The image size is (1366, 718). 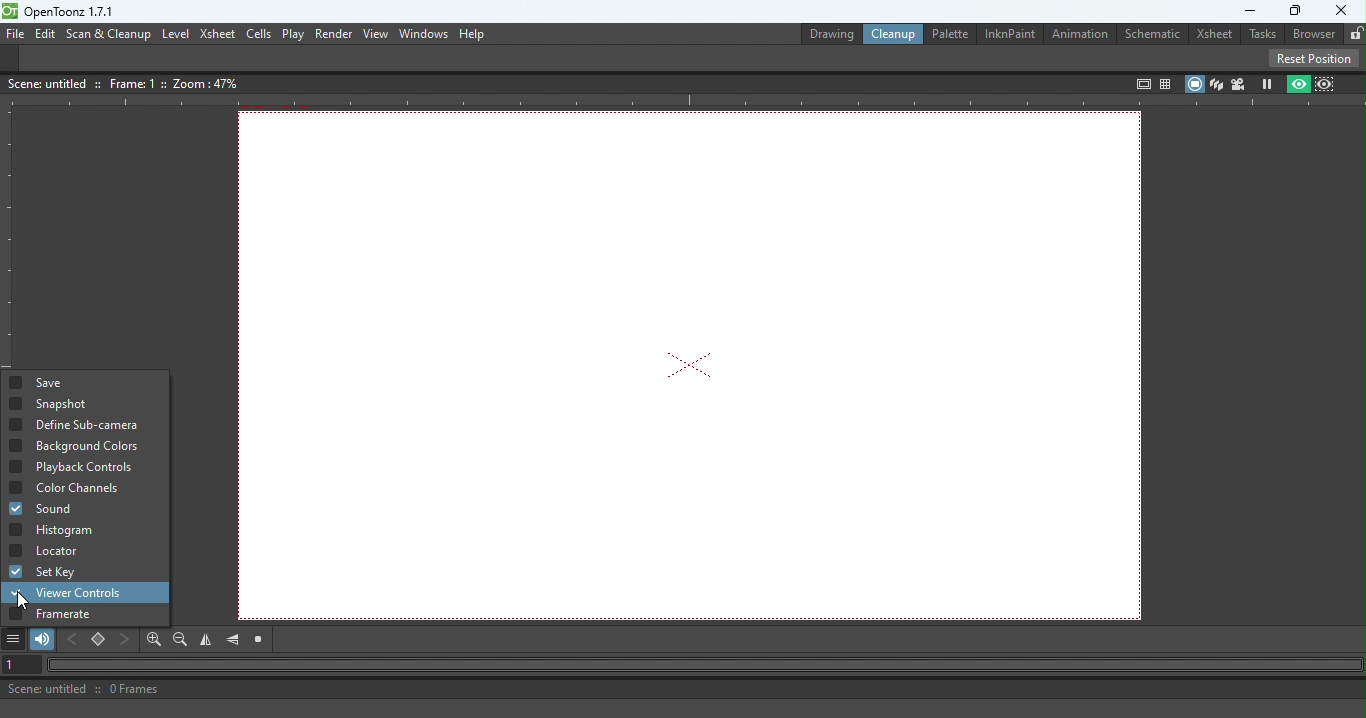 I want to click on Sub-camera view, so click(x=1328, y=82).